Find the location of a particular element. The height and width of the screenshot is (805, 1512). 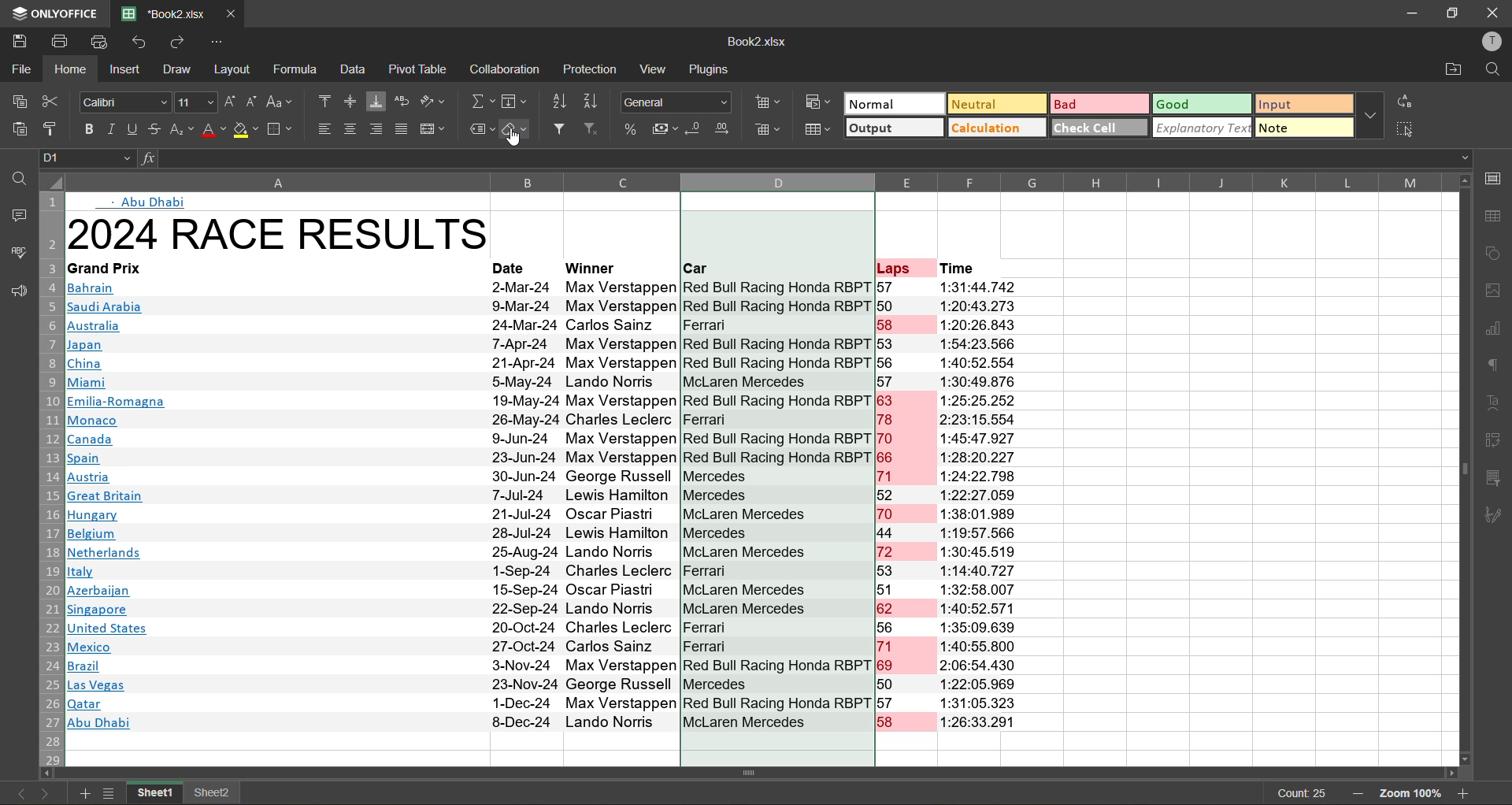

vertical scrollbar is located at coordinates (1463, 469).